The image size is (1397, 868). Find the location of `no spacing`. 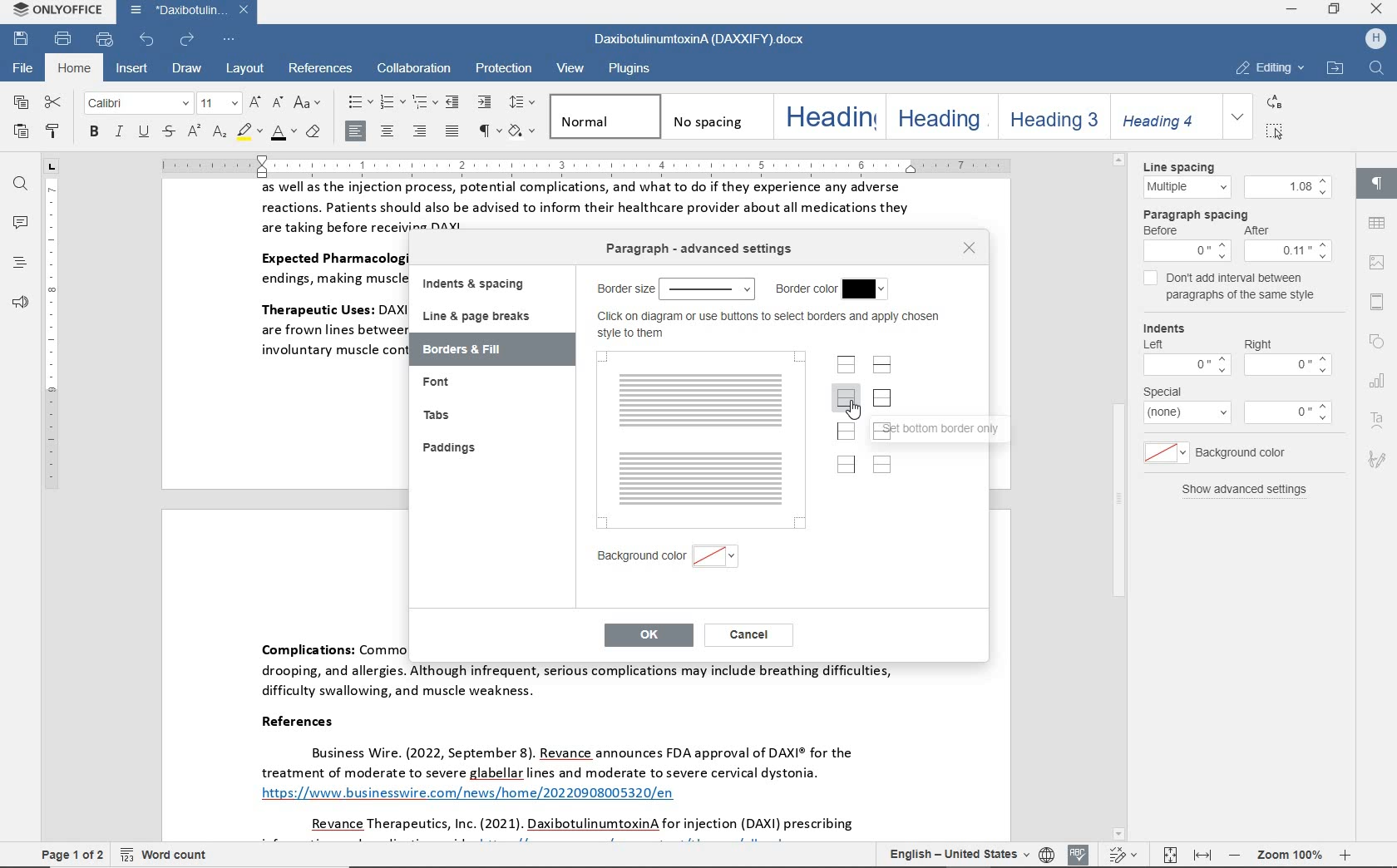

no spacing is located at coordinates (713, 116).